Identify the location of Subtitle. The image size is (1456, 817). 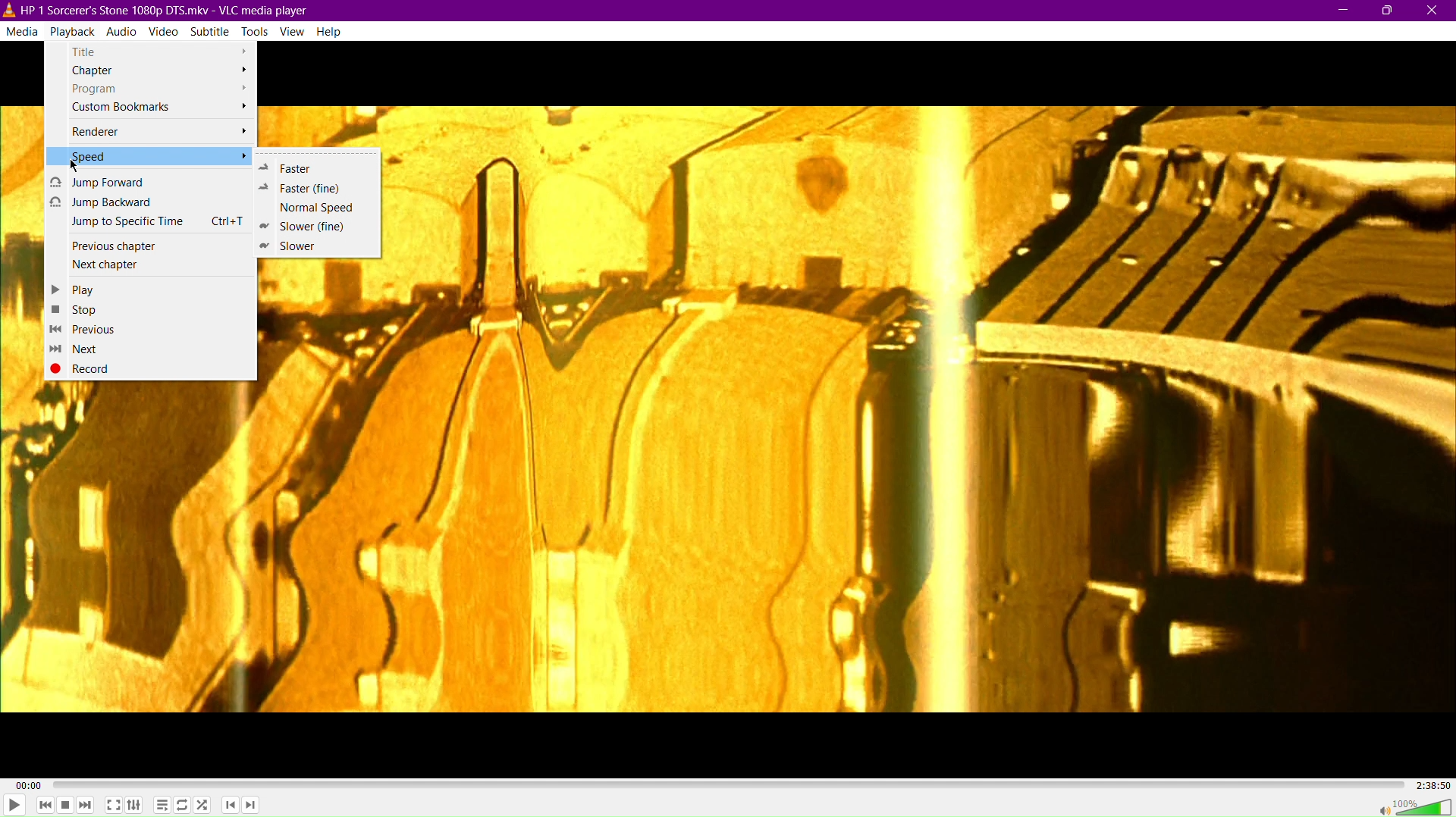
(210, 30).